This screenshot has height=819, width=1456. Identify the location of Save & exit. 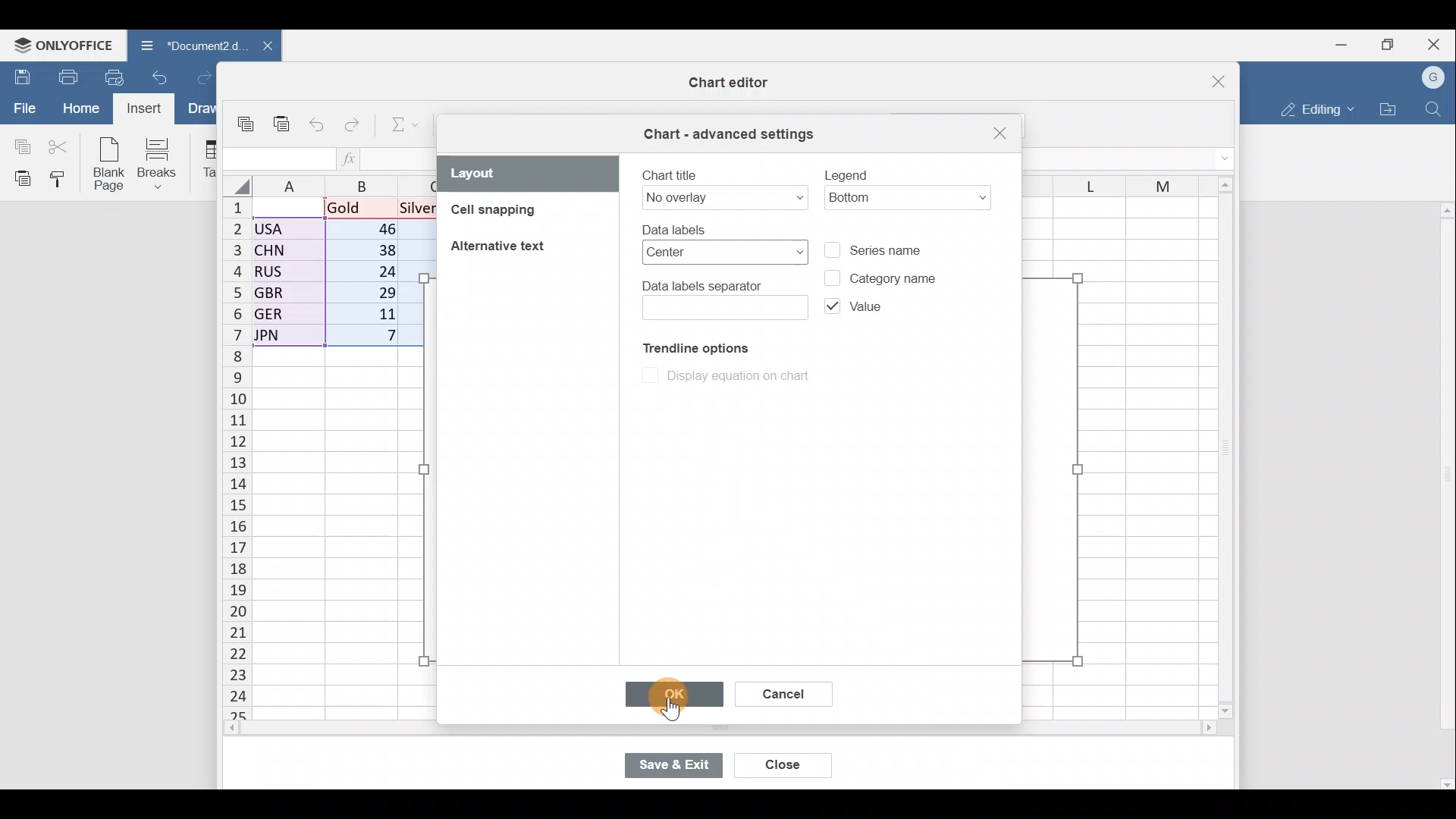
(682, 767).